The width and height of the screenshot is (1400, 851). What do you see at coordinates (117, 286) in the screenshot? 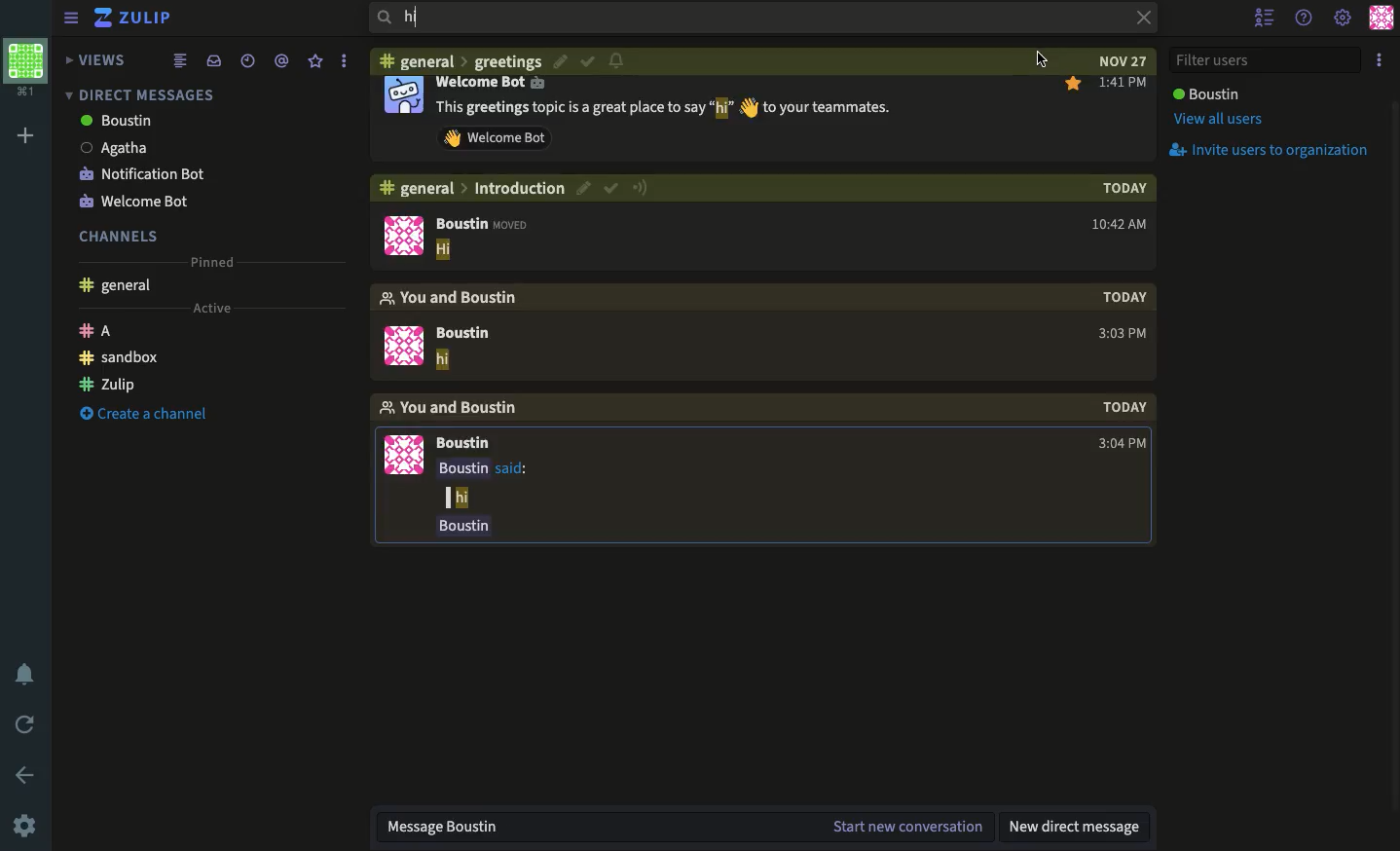
I see `General` at bounding box center [117, 286].